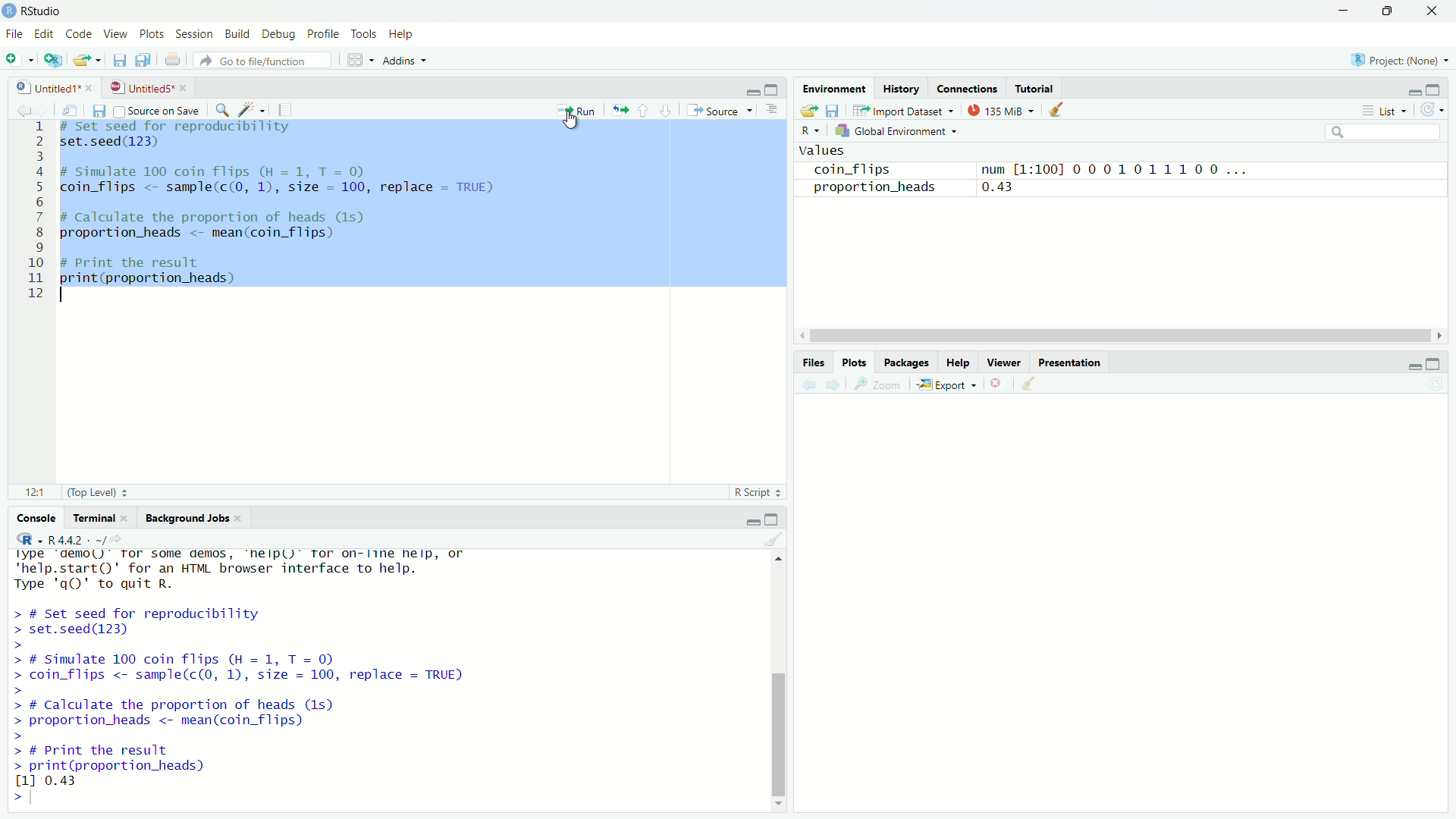 Image resolution: width=1456 pixels, height=819 pixels. I want to click on prompt cursor, so click(11, 795).